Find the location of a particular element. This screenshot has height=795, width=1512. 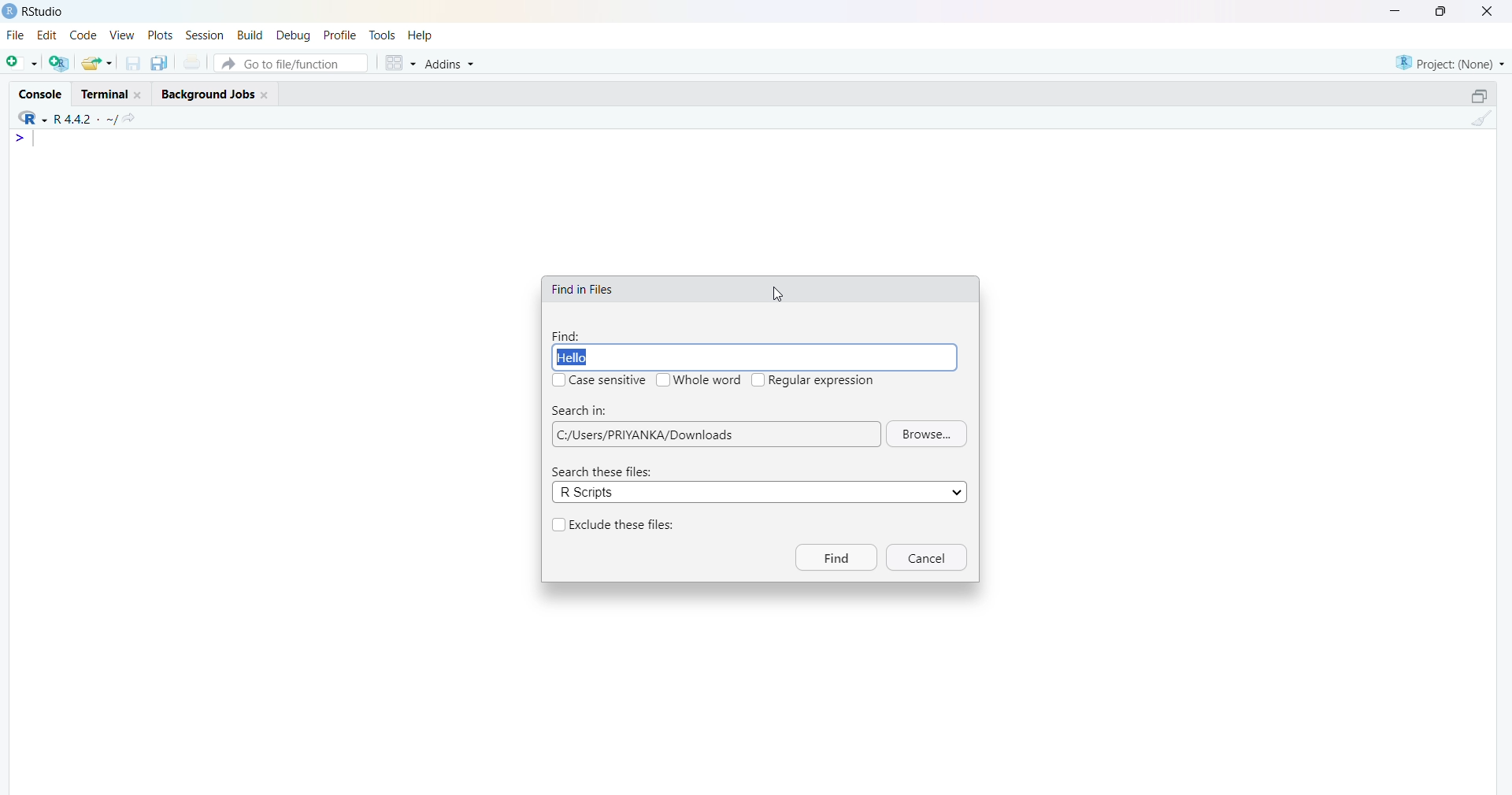

Background jobs is located at coordinates (207, 96).